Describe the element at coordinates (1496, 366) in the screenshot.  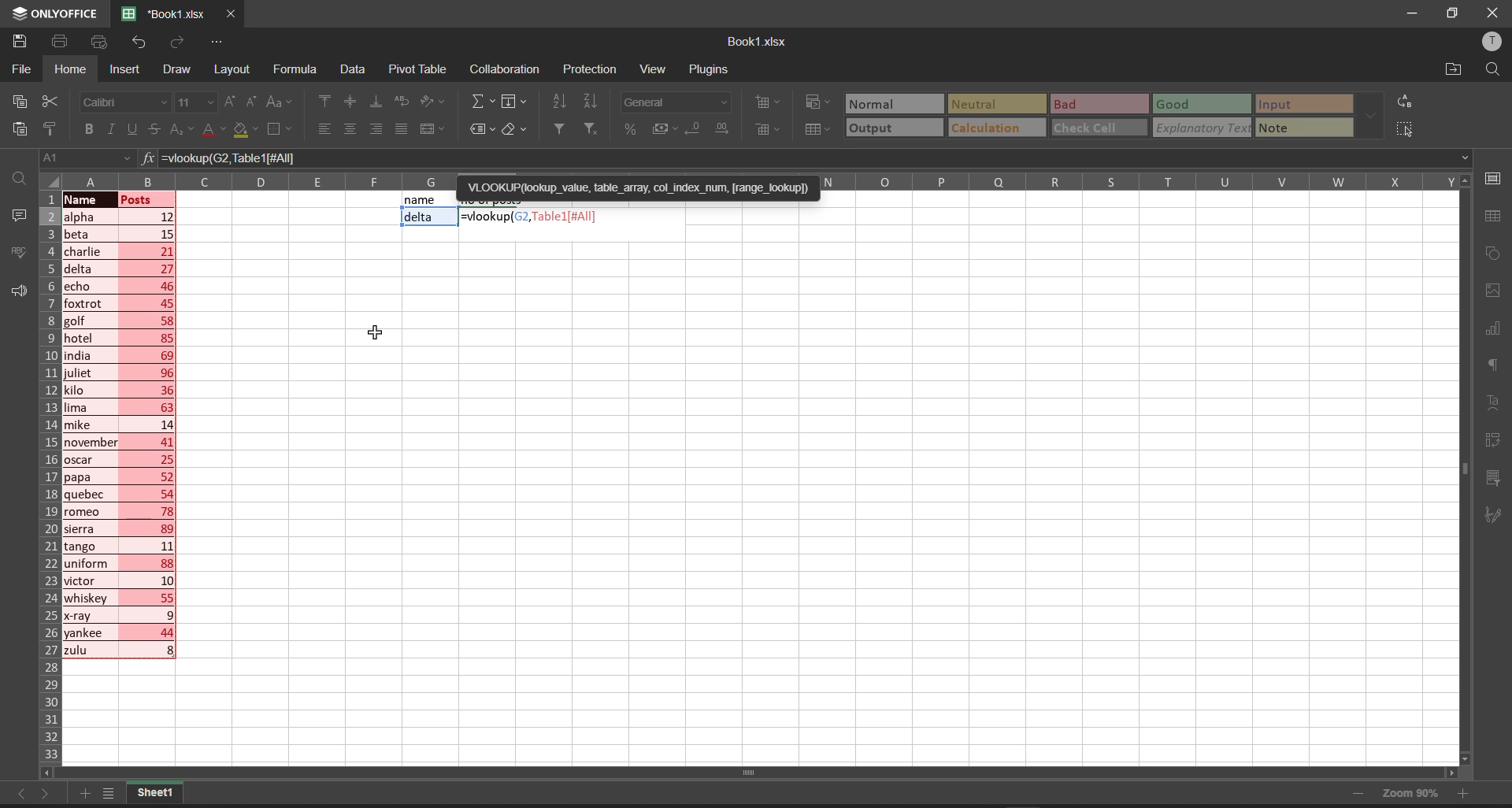
I see `paragraph settings` at that location.